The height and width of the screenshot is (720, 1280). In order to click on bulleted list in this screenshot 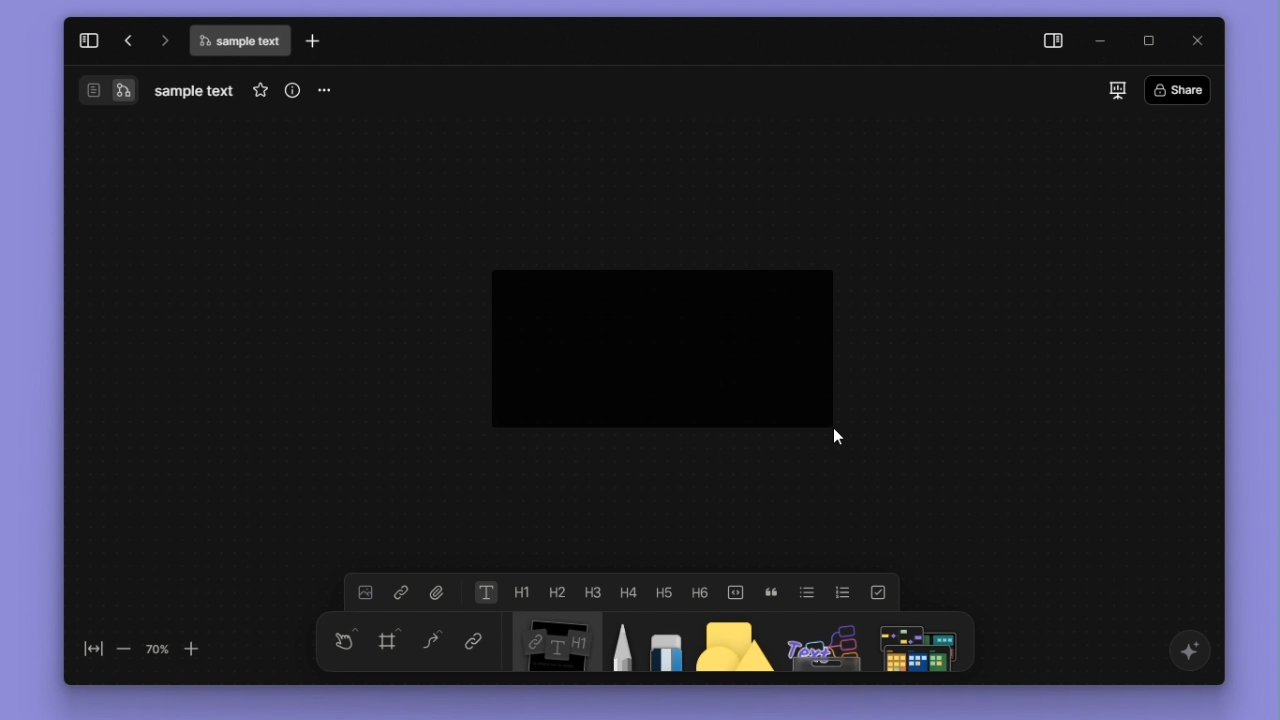, I will do `click(808, 591)`.